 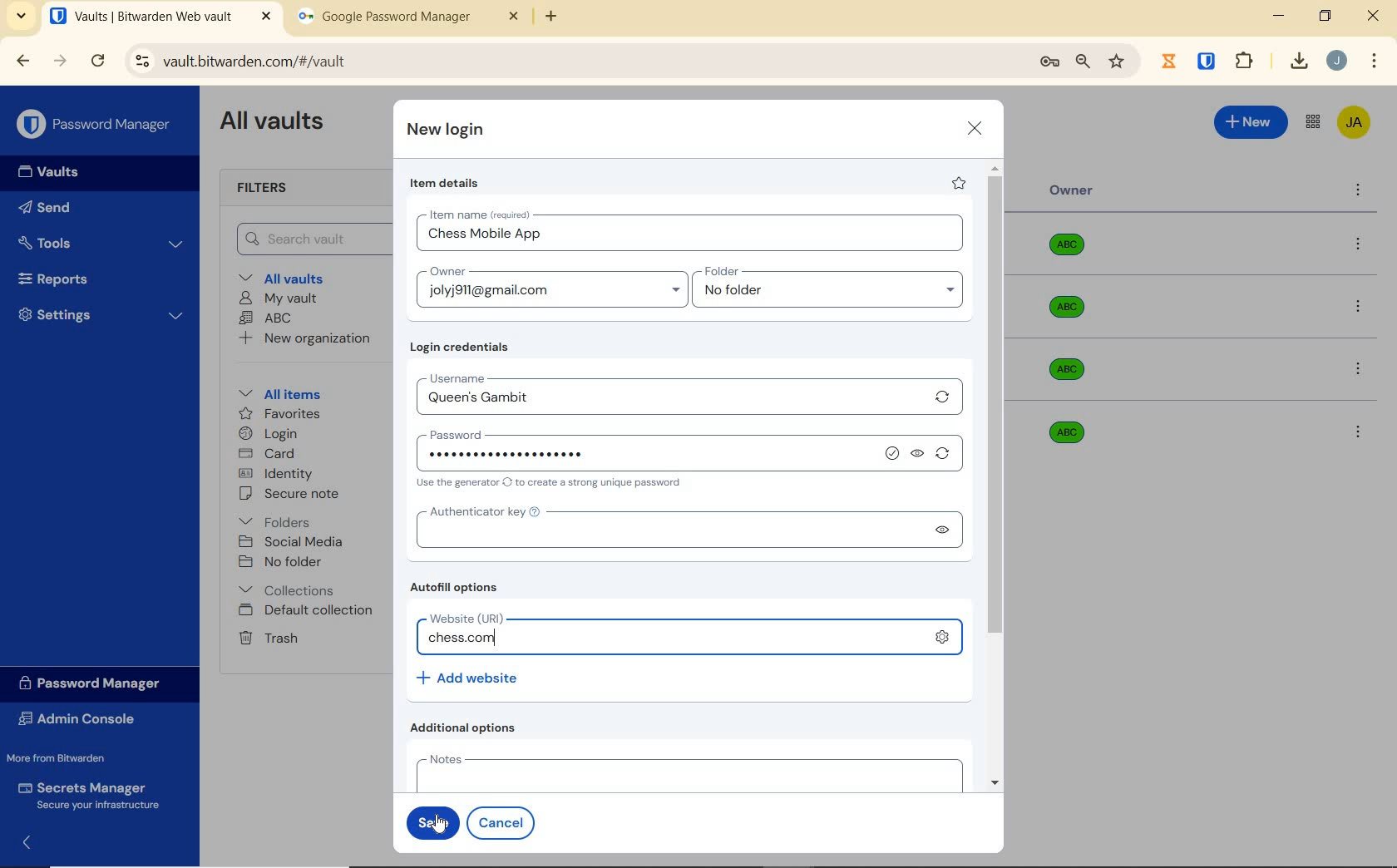 What do you see at coordinates (309, 239) in the screenshot?
I see `Search Vault` at bounding box center [309, 239].